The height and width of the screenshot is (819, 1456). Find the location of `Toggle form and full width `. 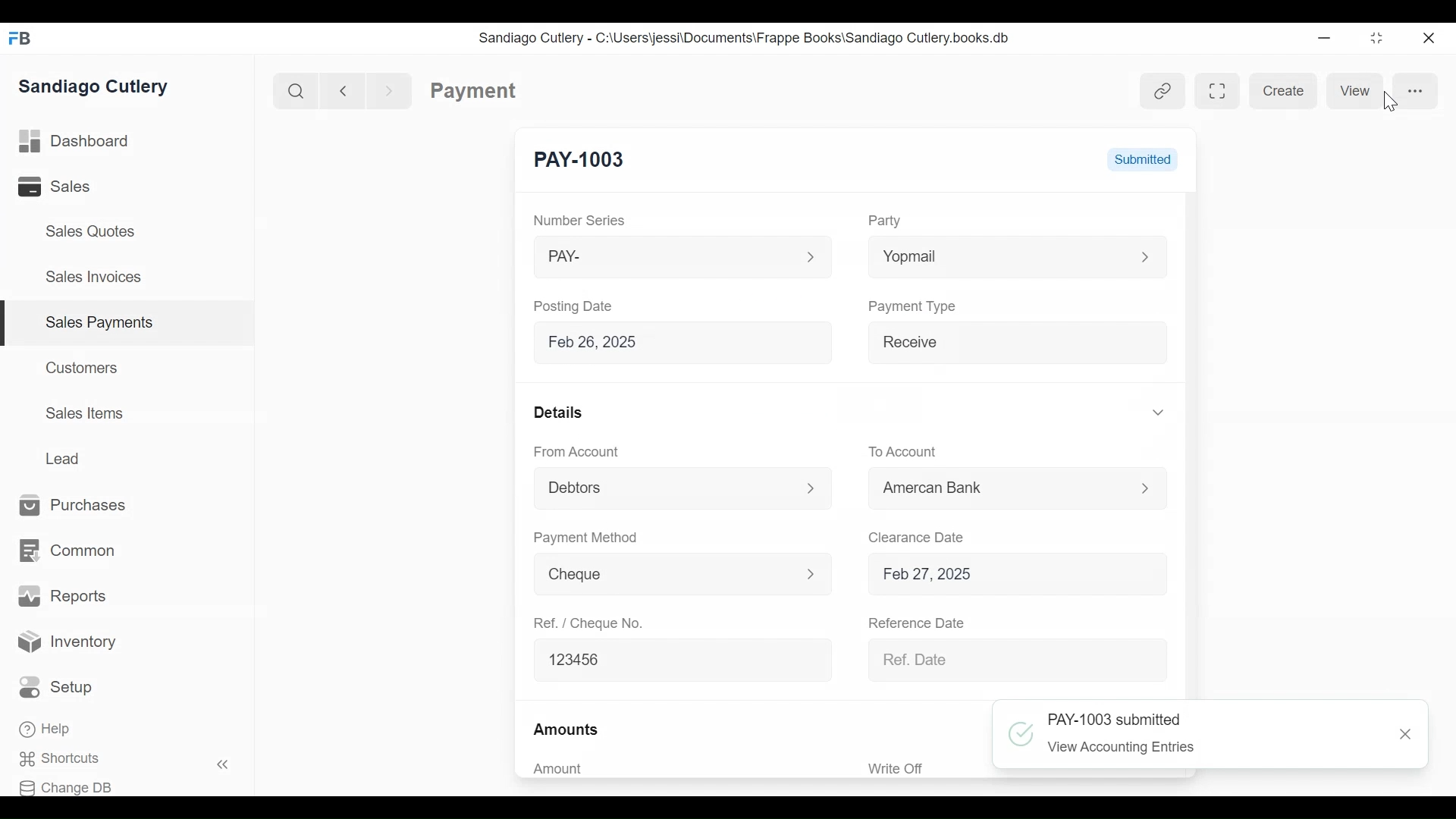

Toggle form and full width  is located at coordinates (1219, 91).